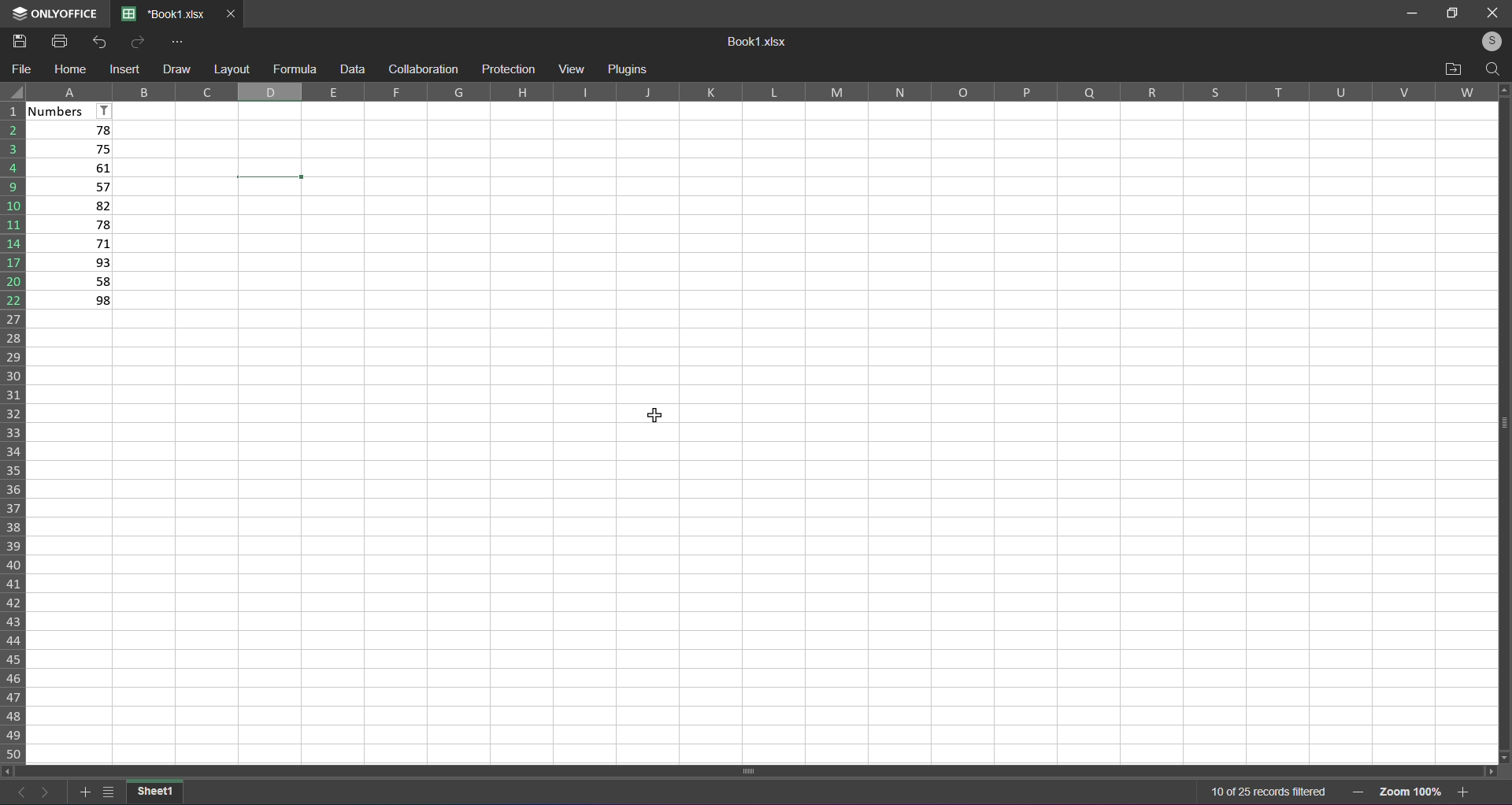 The image size is (1512, 805). What do you see at coordinates (70, 168) in the screenshot?
I see `61` at bounding box center [70, 168].